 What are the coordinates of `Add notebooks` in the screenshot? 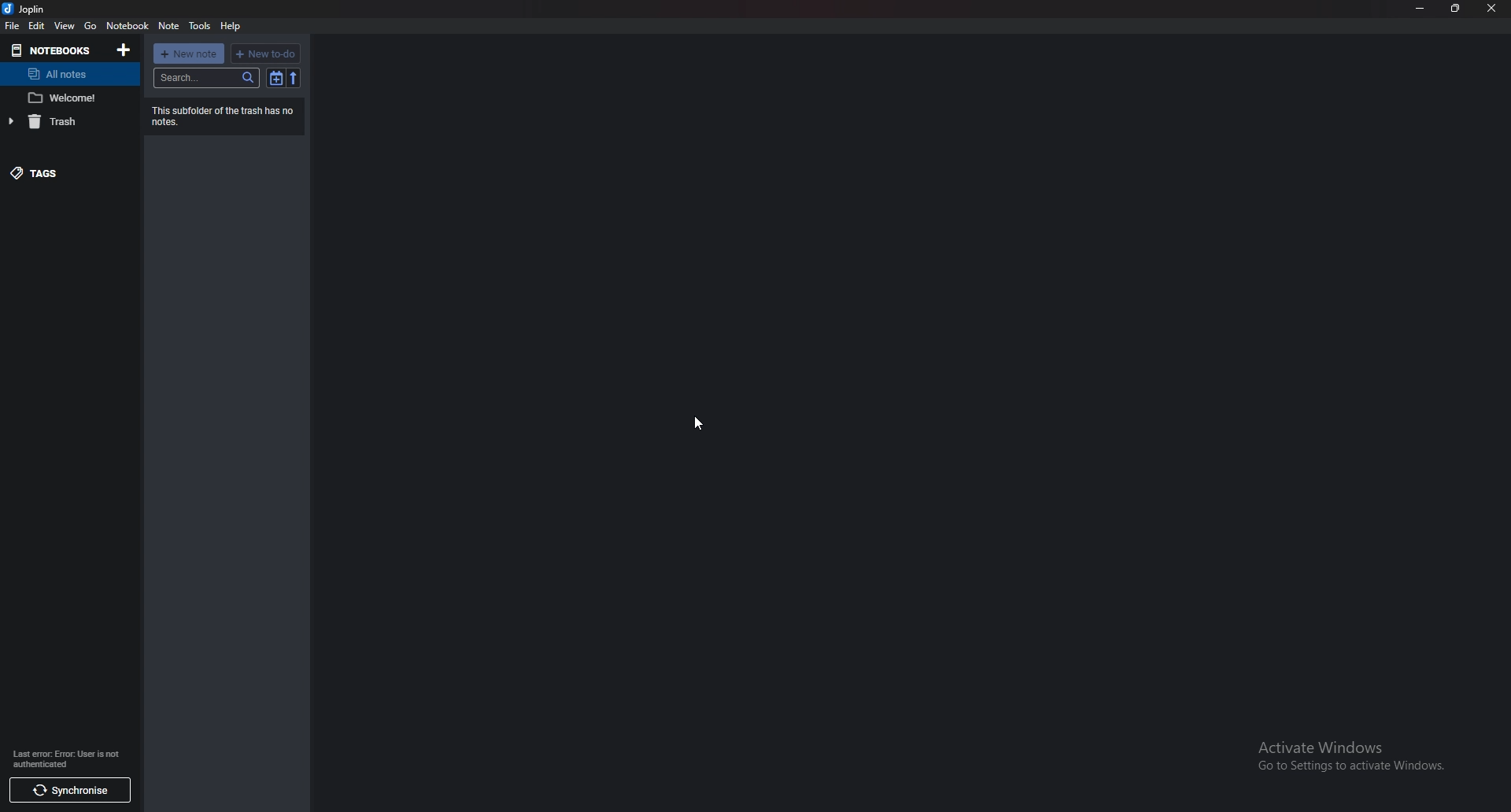 It's located at (126, 50).